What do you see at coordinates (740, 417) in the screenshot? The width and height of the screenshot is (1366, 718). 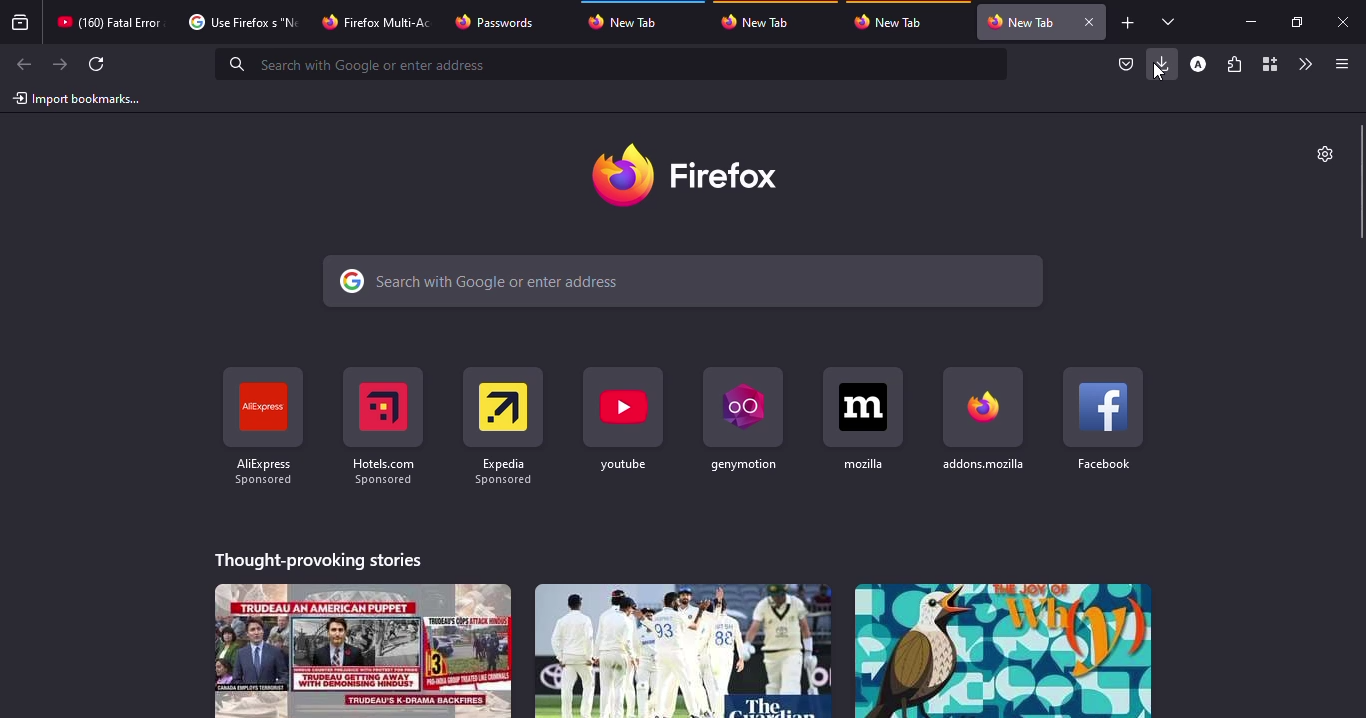 I see `shortcut` at bounding box center [740, 417].